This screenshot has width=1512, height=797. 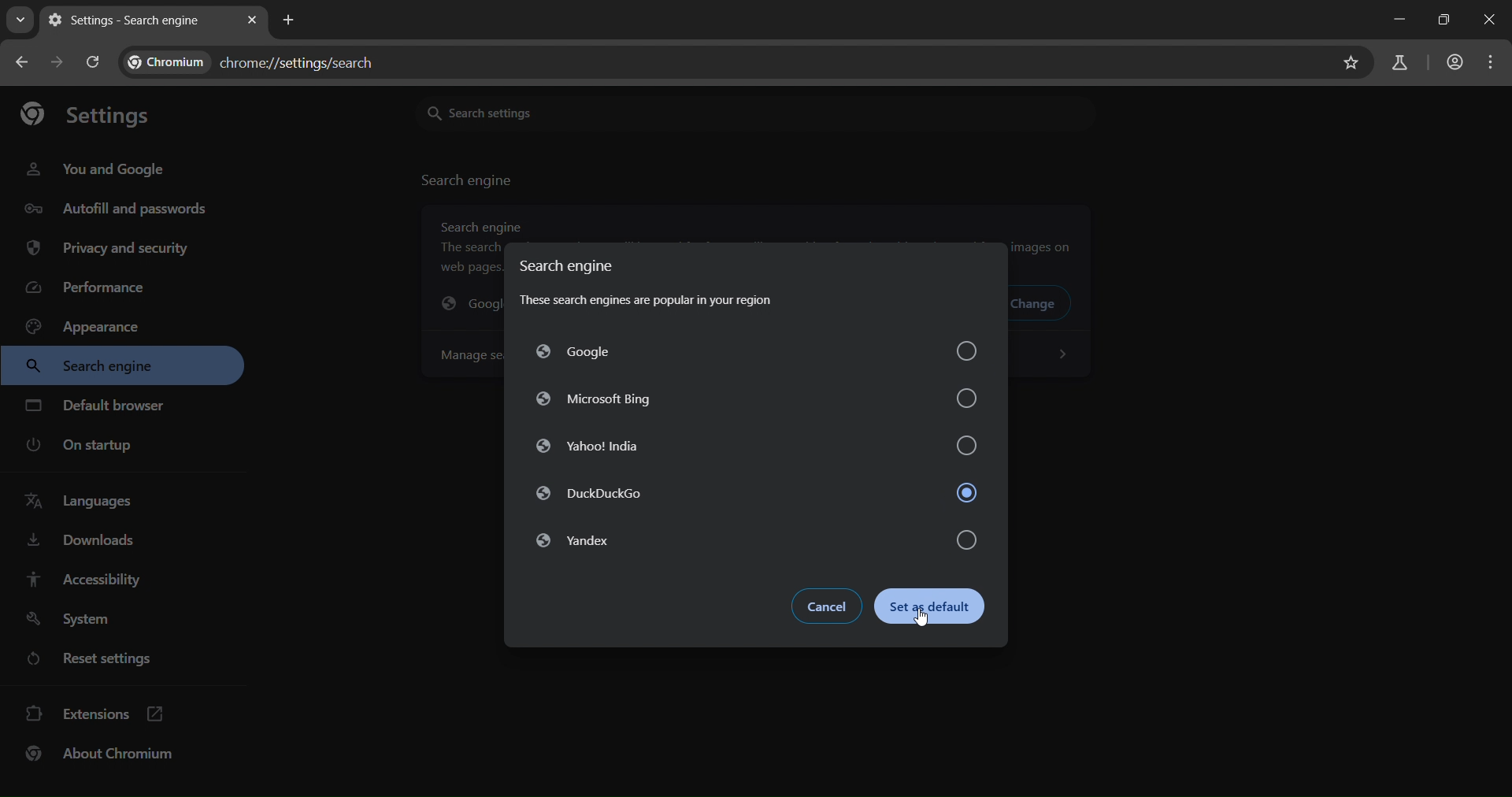 I want to click on Search engine
These search engines are popular in your region, so click(x=652, y=284).